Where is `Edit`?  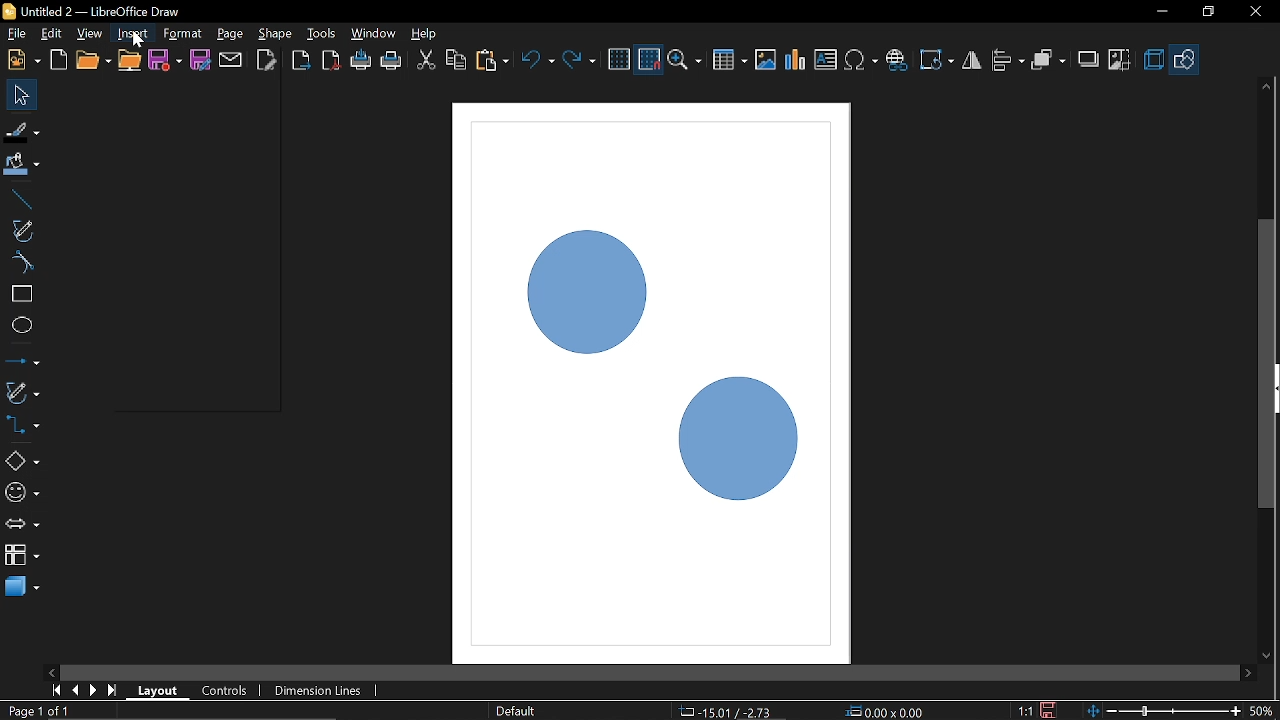
Edit is located at coordinates (53, 34).